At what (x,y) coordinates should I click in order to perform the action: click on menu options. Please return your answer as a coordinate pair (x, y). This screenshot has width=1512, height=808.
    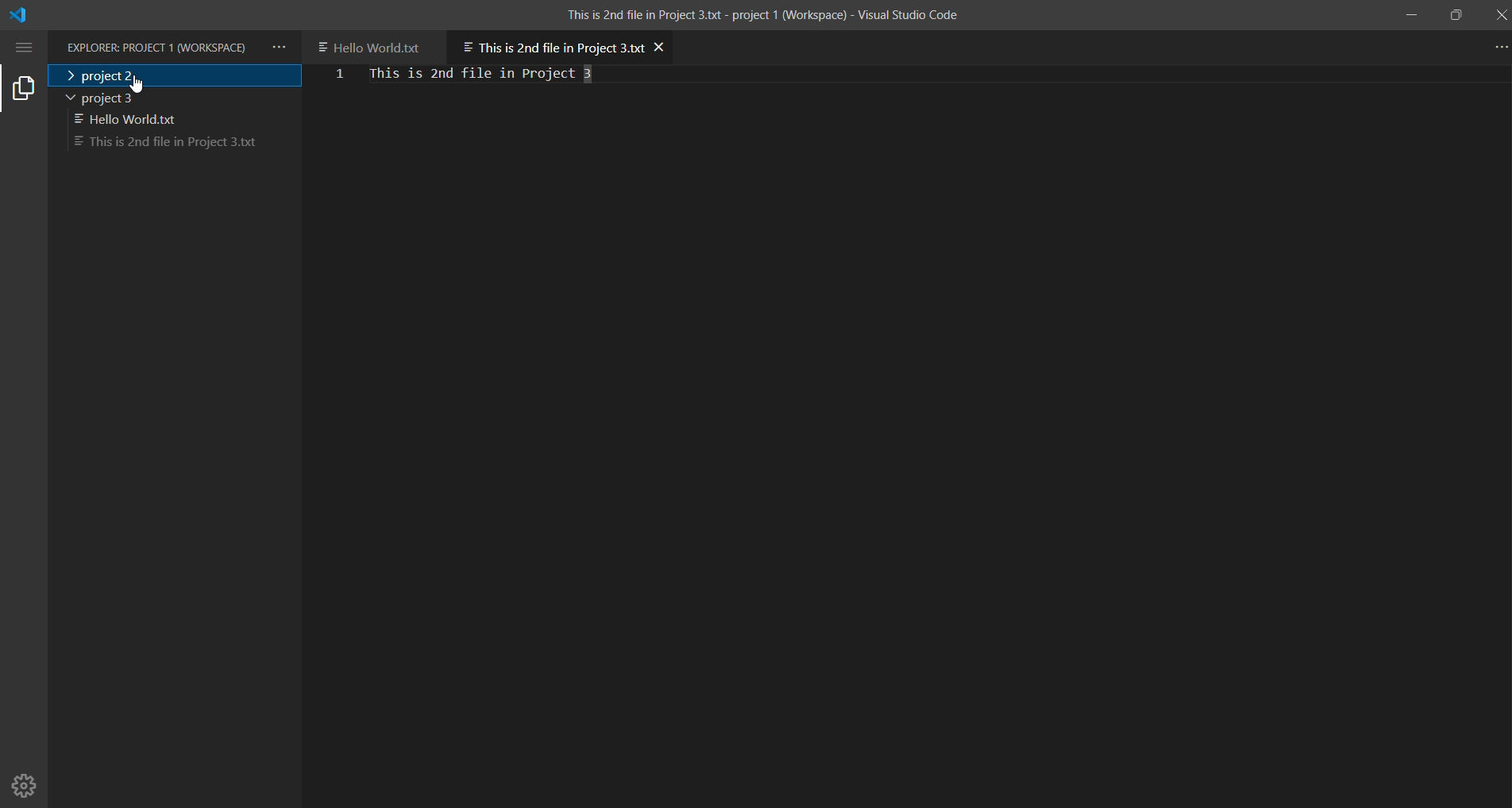
    Looking at the image, I should click on (26, 47).